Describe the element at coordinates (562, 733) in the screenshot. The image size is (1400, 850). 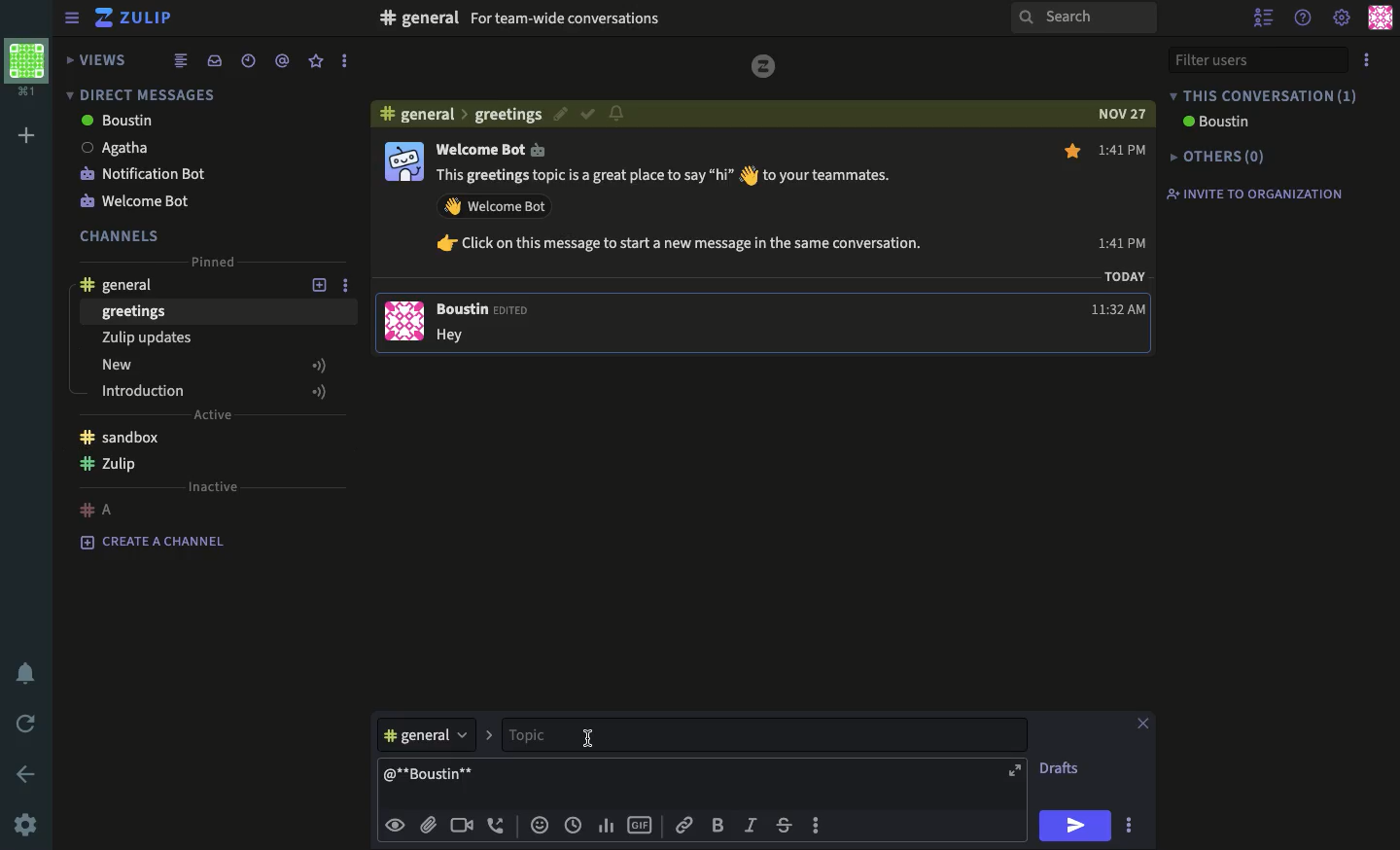
I see `topic` at that location.